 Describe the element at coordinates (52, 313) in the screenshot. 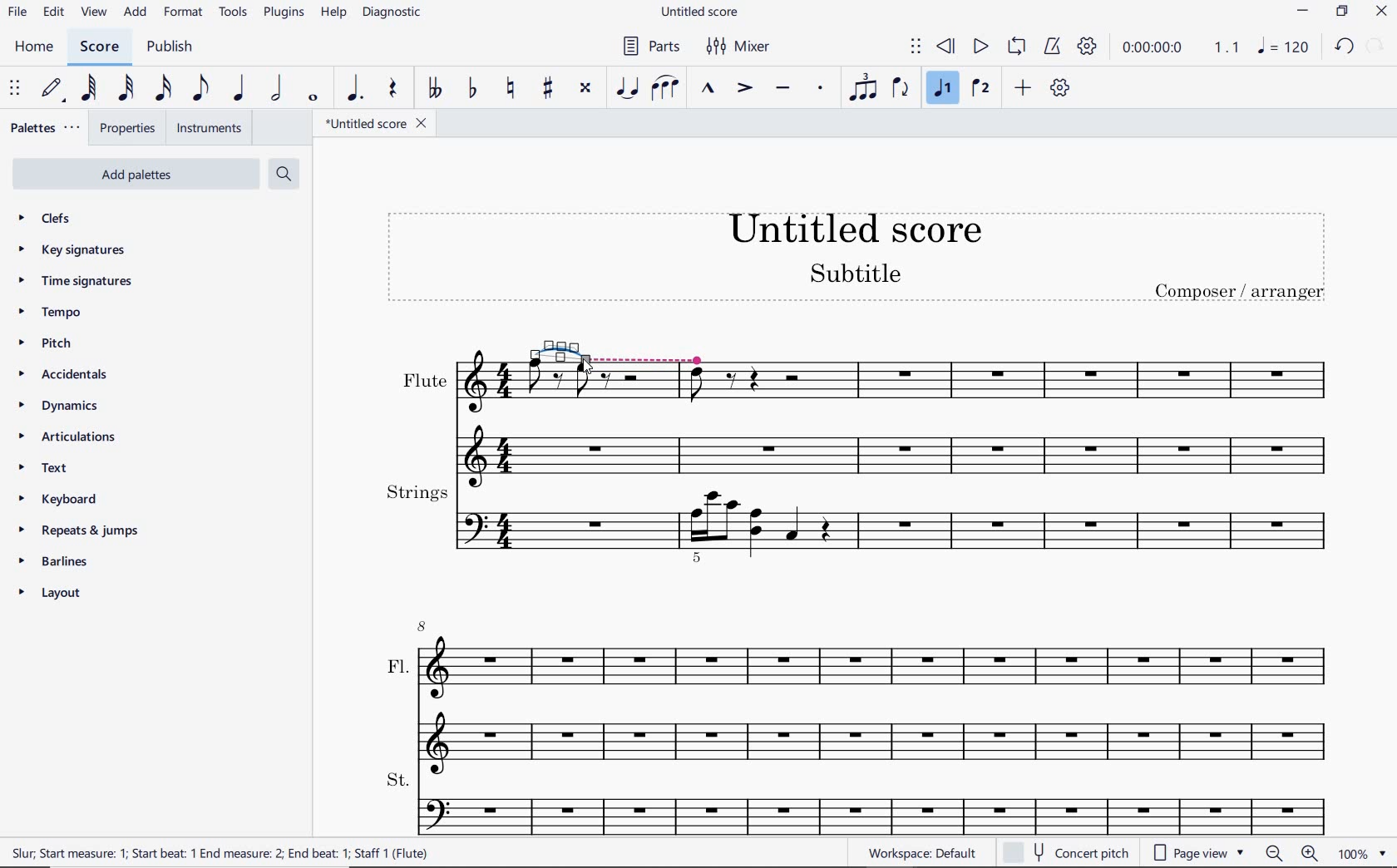

I see `tempo` at that location.